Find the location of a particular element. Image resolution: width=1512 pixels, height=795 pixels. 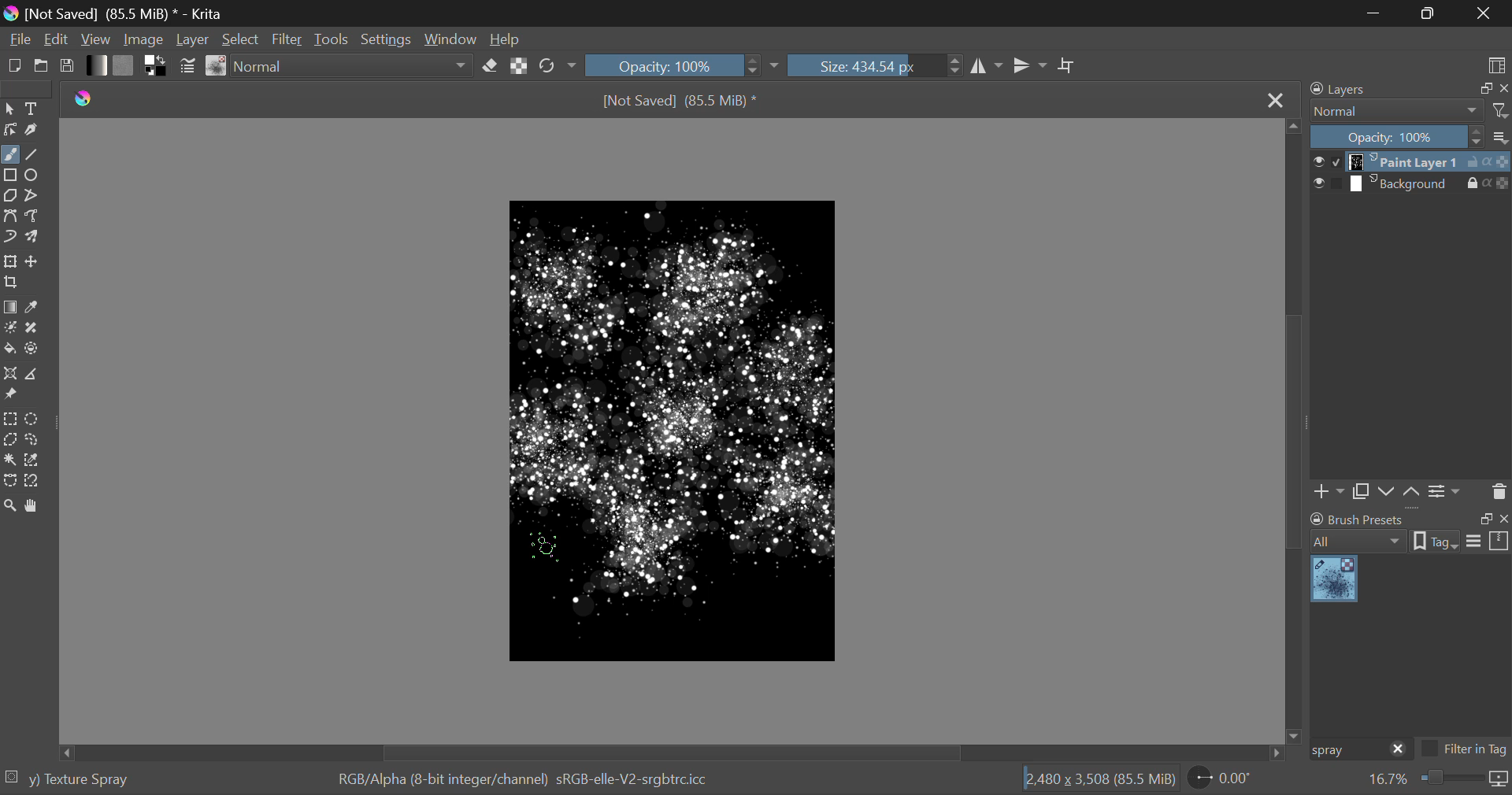

Filter is located at coordinates (287, 39).